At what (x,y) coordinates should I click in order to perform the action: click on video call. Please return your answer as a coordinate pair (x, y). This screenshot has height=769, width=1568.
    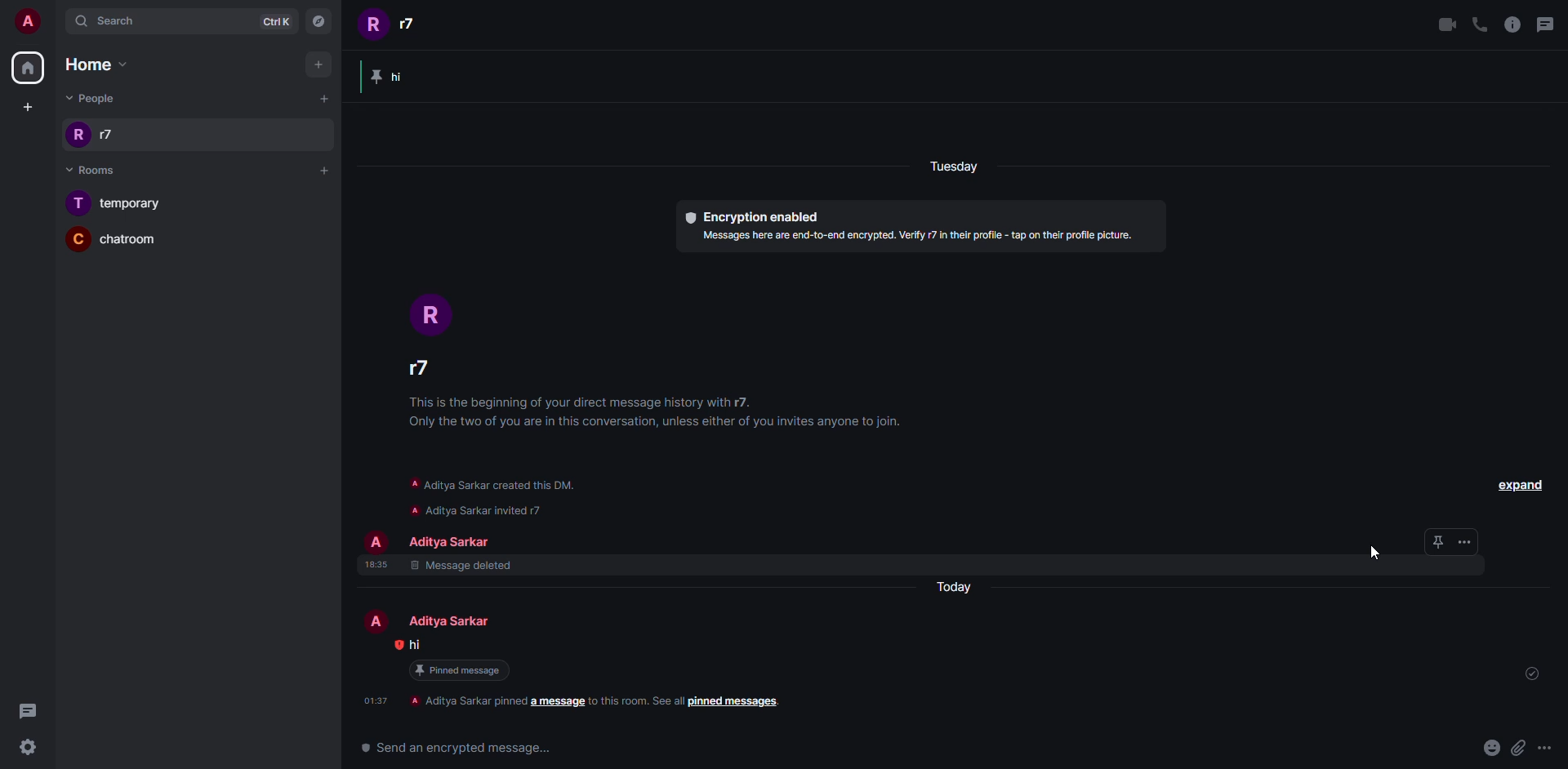
    Looking at the image, I should click on (1445, 24).